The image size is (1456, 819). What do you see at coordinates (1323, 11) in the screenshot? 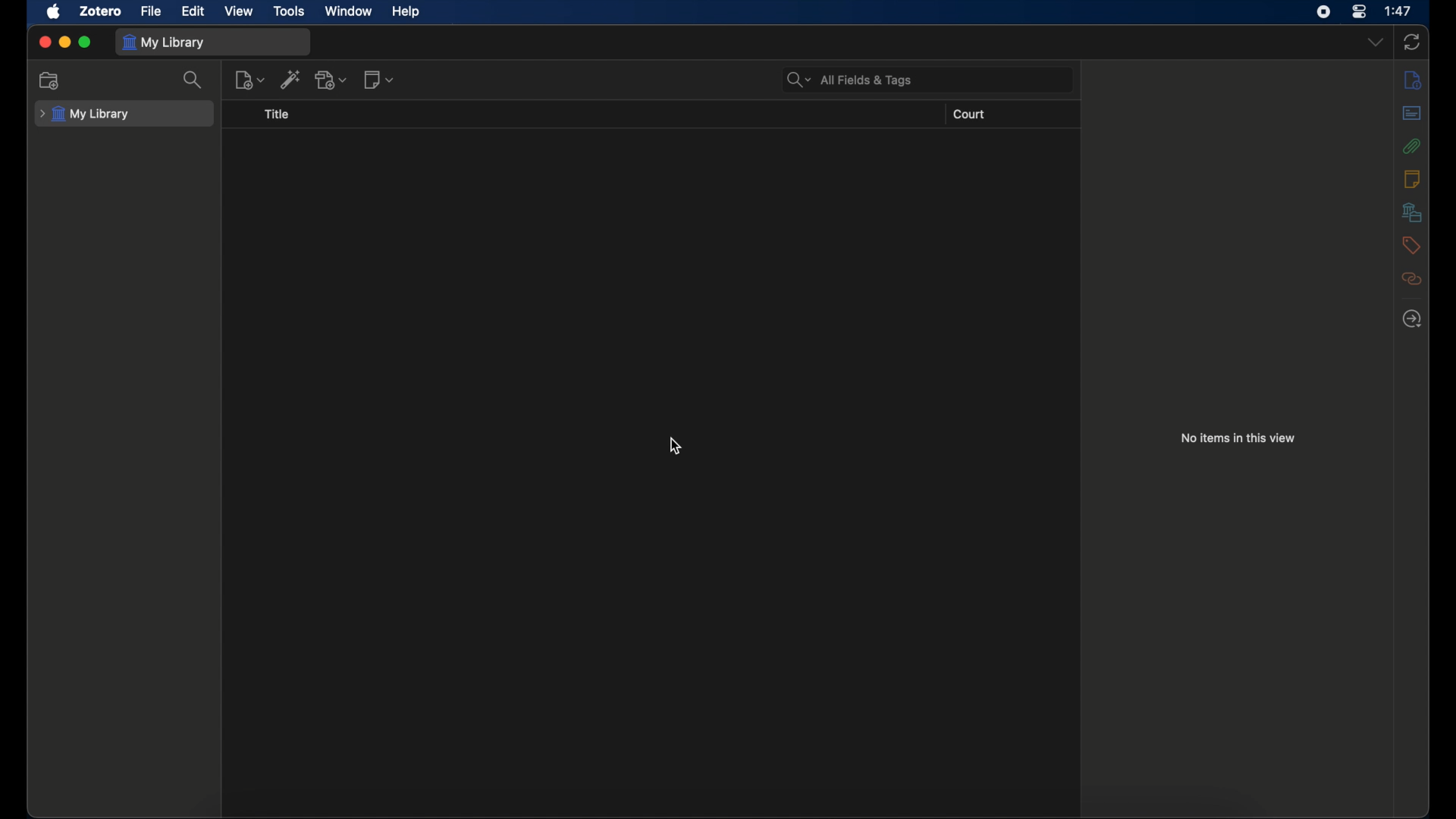
I see `screen recorder` at bounding box center [1323, 11].